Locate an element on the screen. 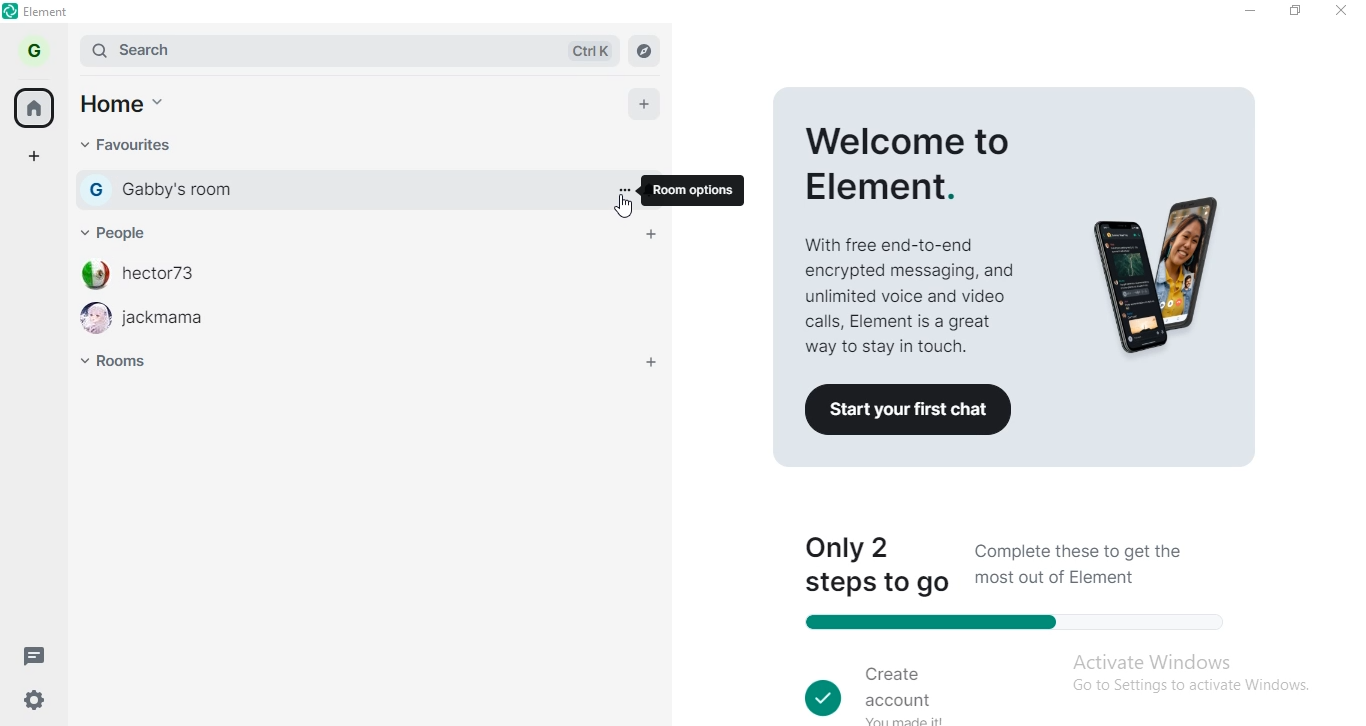 The width and height of the screenshot is (1366, 726). hector73 is located at coordinates (164, 277).